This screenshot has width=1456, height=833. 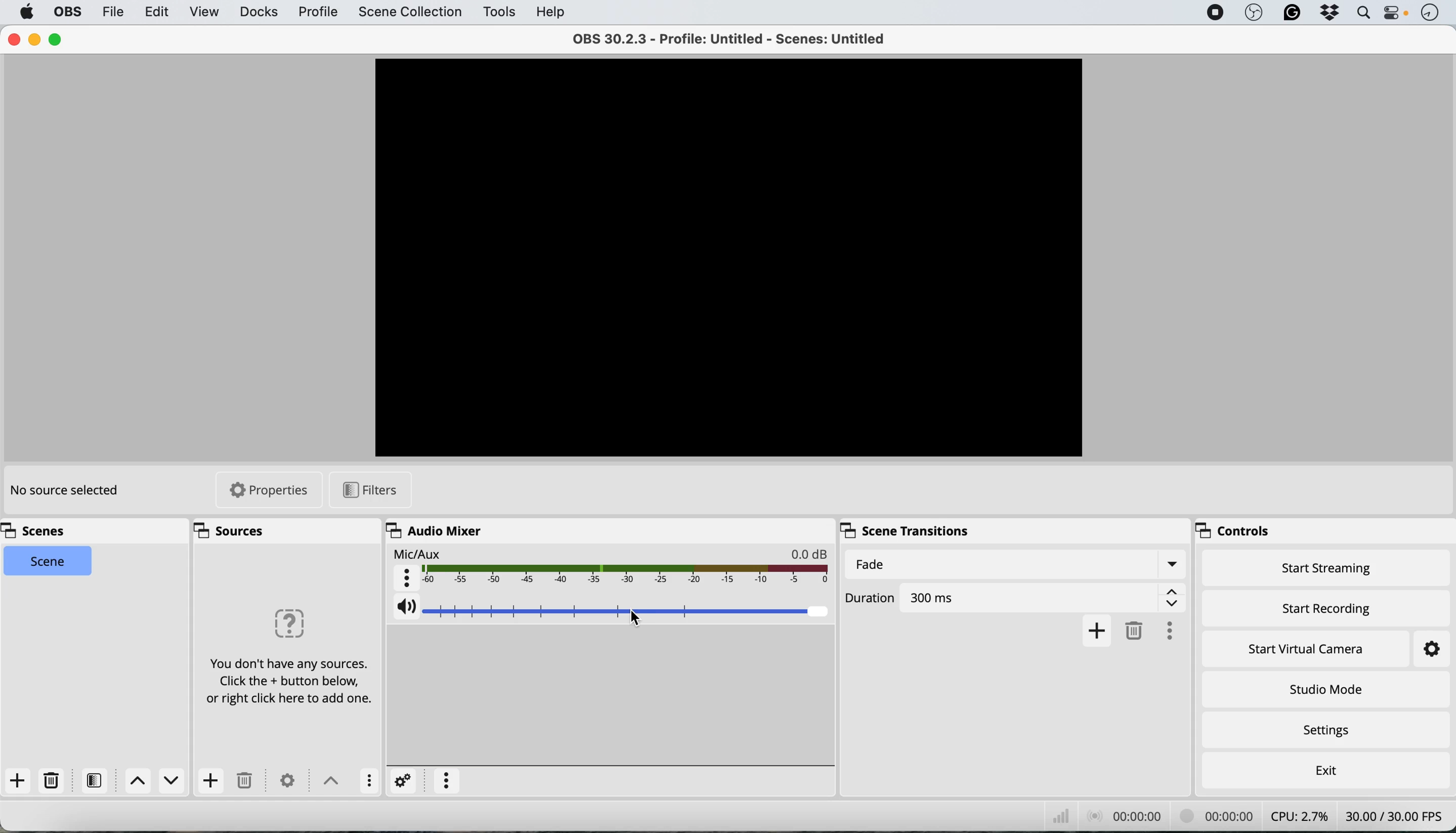 What do you see at coordinates (439, 531) in the screenshot?
I see `audio mixer` at bounding box center [439, 531].